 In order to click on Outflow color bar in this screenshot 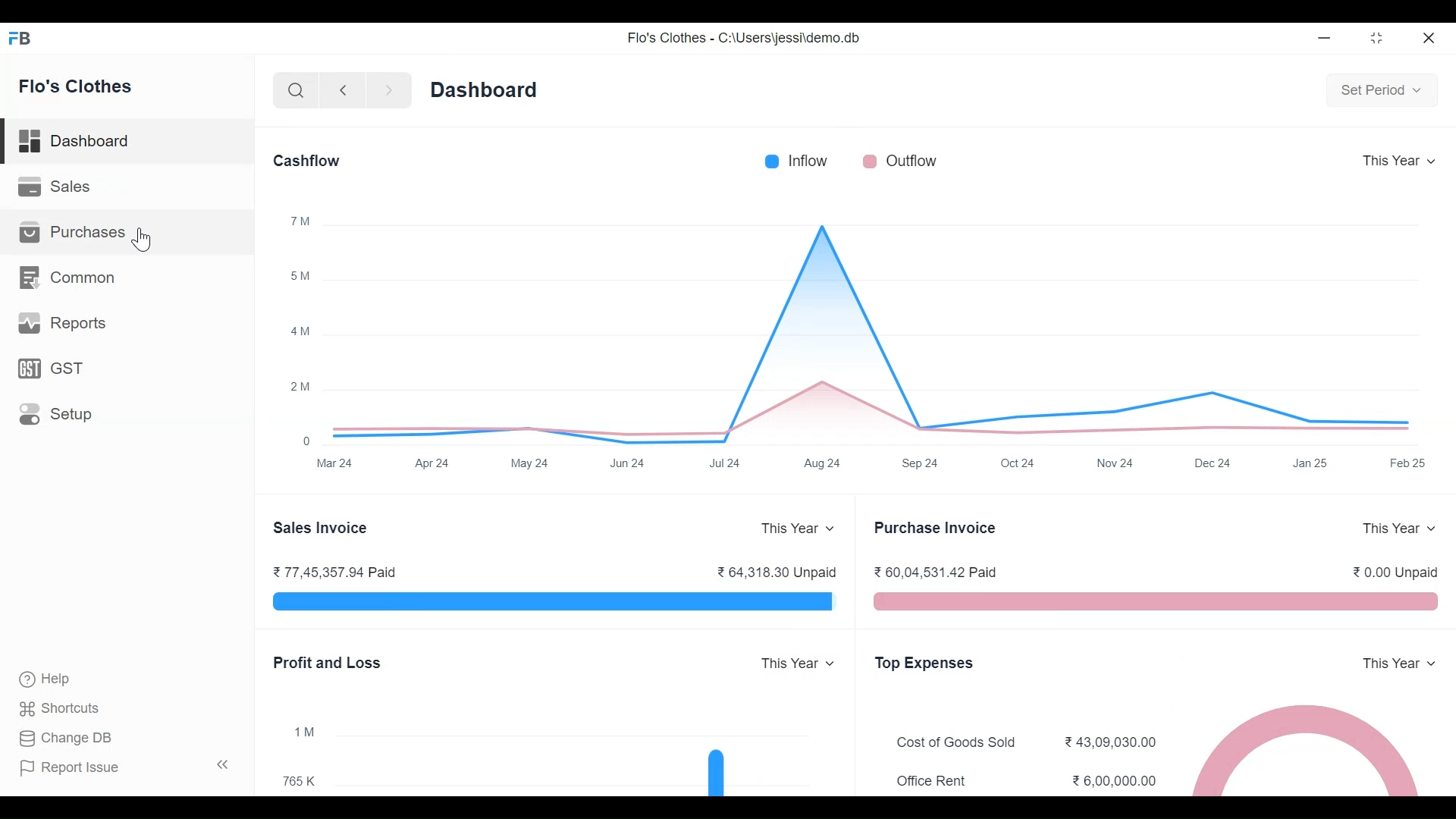, I will do `click(870, 161)`.